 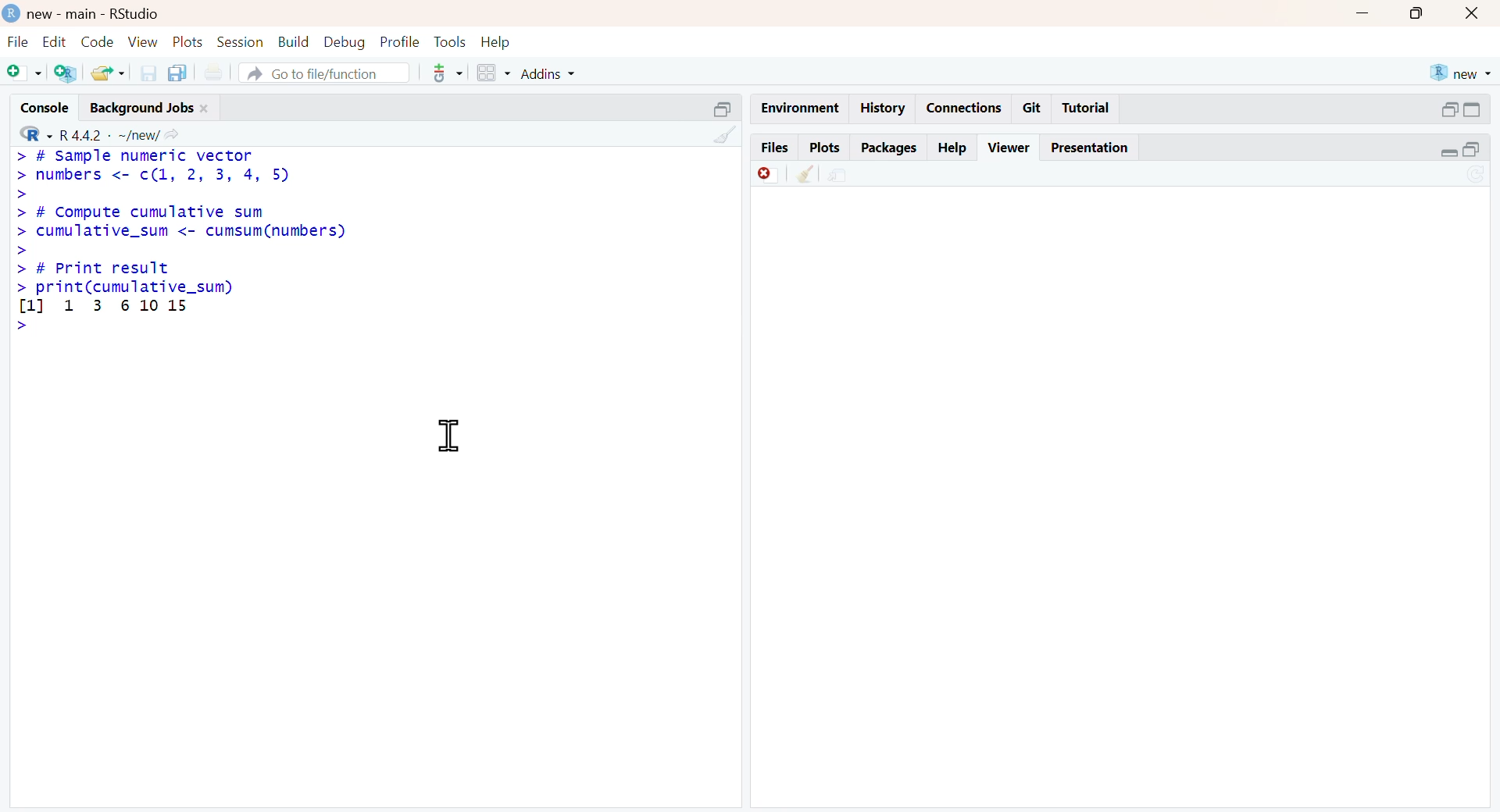 I want to click on share folder as, so click(x=108, y=73).